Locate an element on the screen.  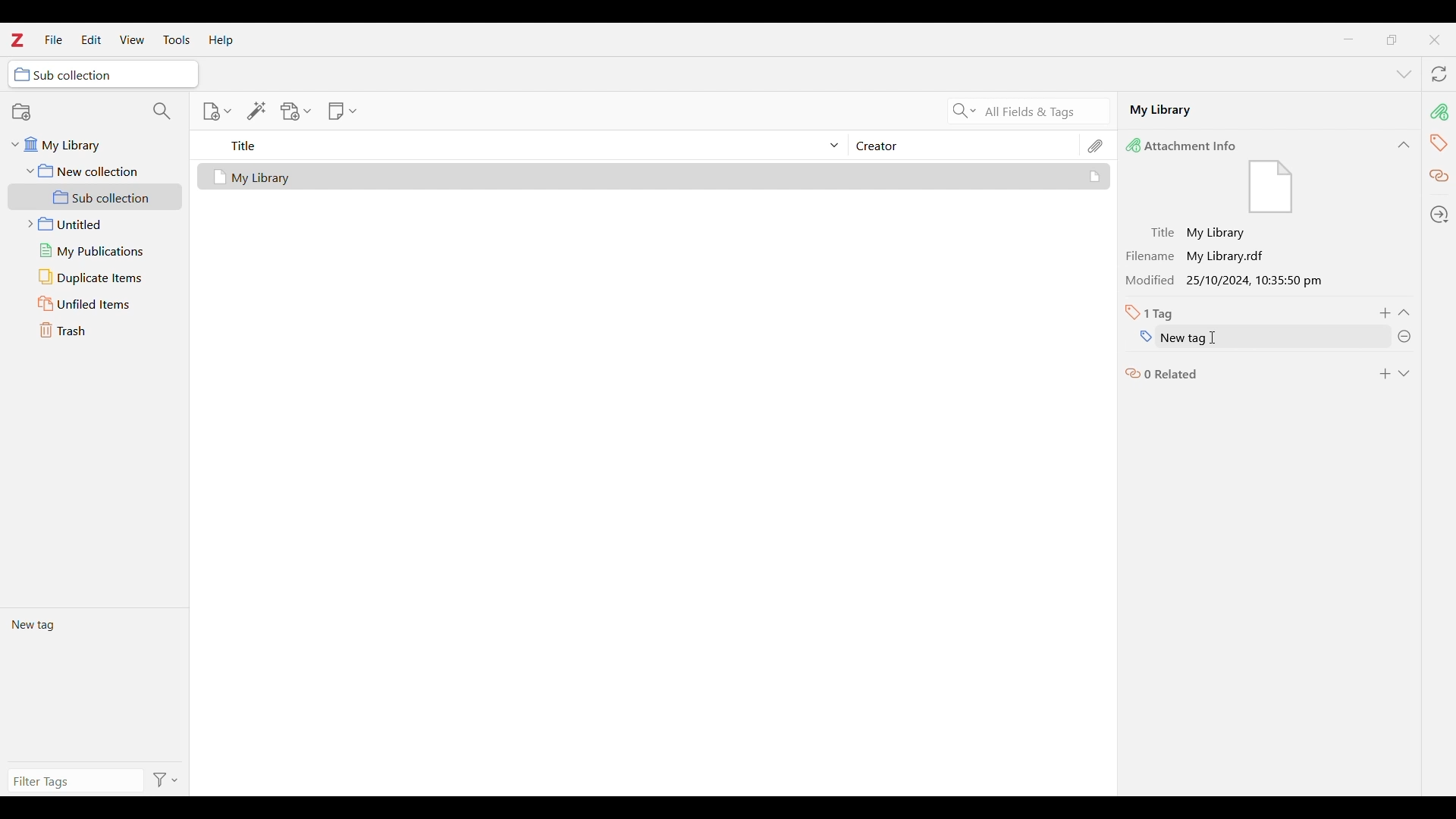
Collapse is located at coordinates (1404, 145).